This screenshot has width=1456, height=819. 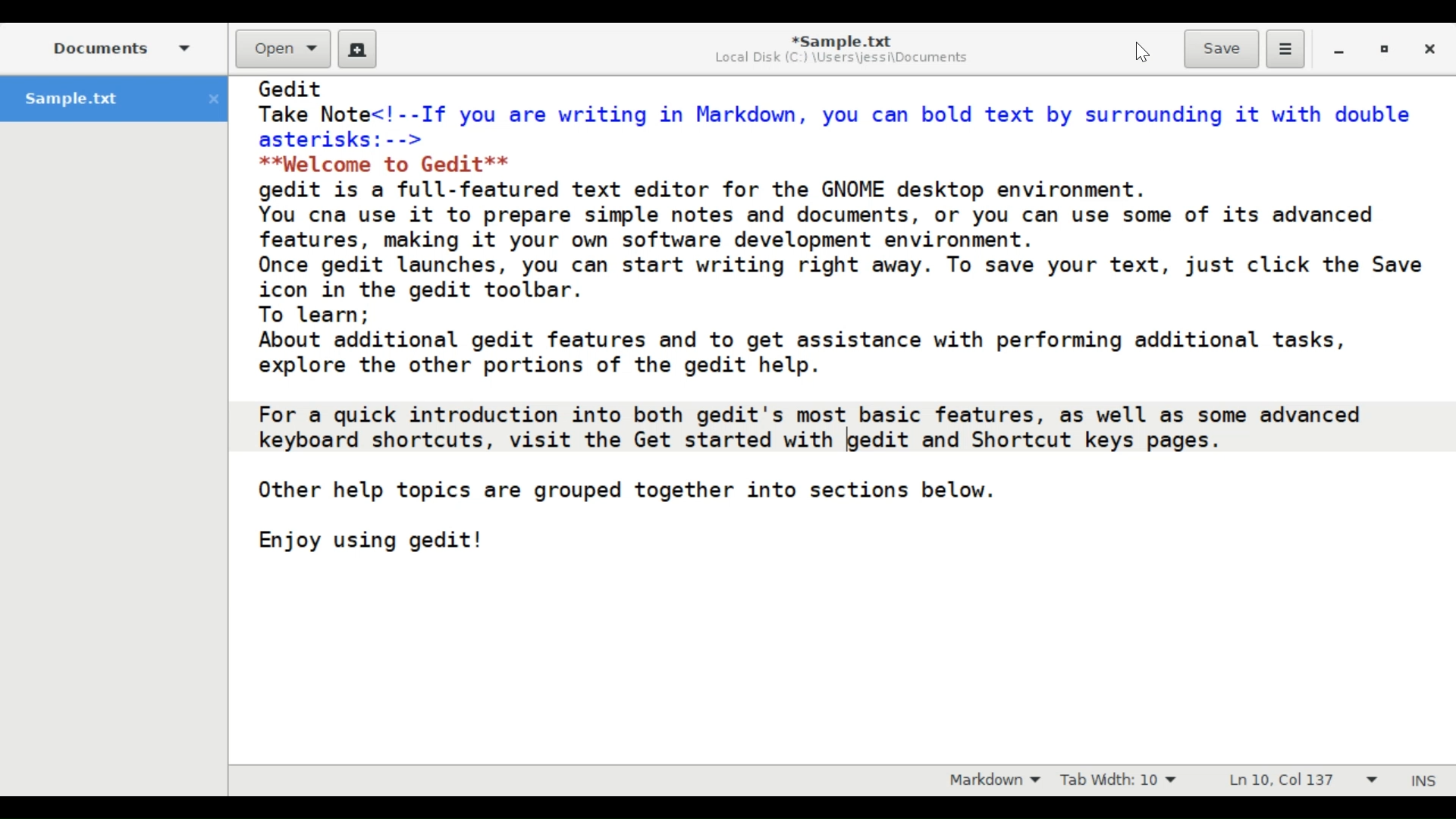 What do you see at coordinates (1120, 781) in the screenshot?
I see `Tab Width: 10` at bounding box center [1120, 781].